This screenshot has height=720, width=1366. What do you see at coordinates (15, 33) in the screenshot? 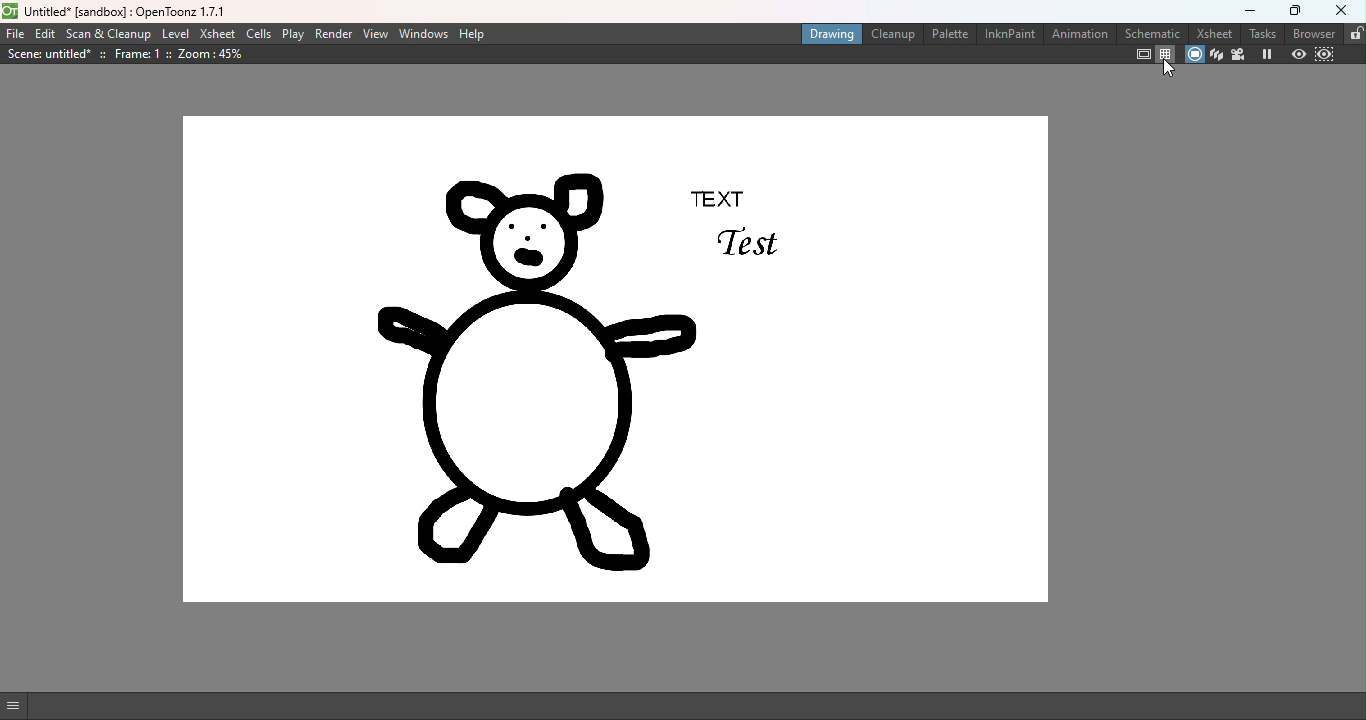
I see `File` at bounding box center [15, 33].